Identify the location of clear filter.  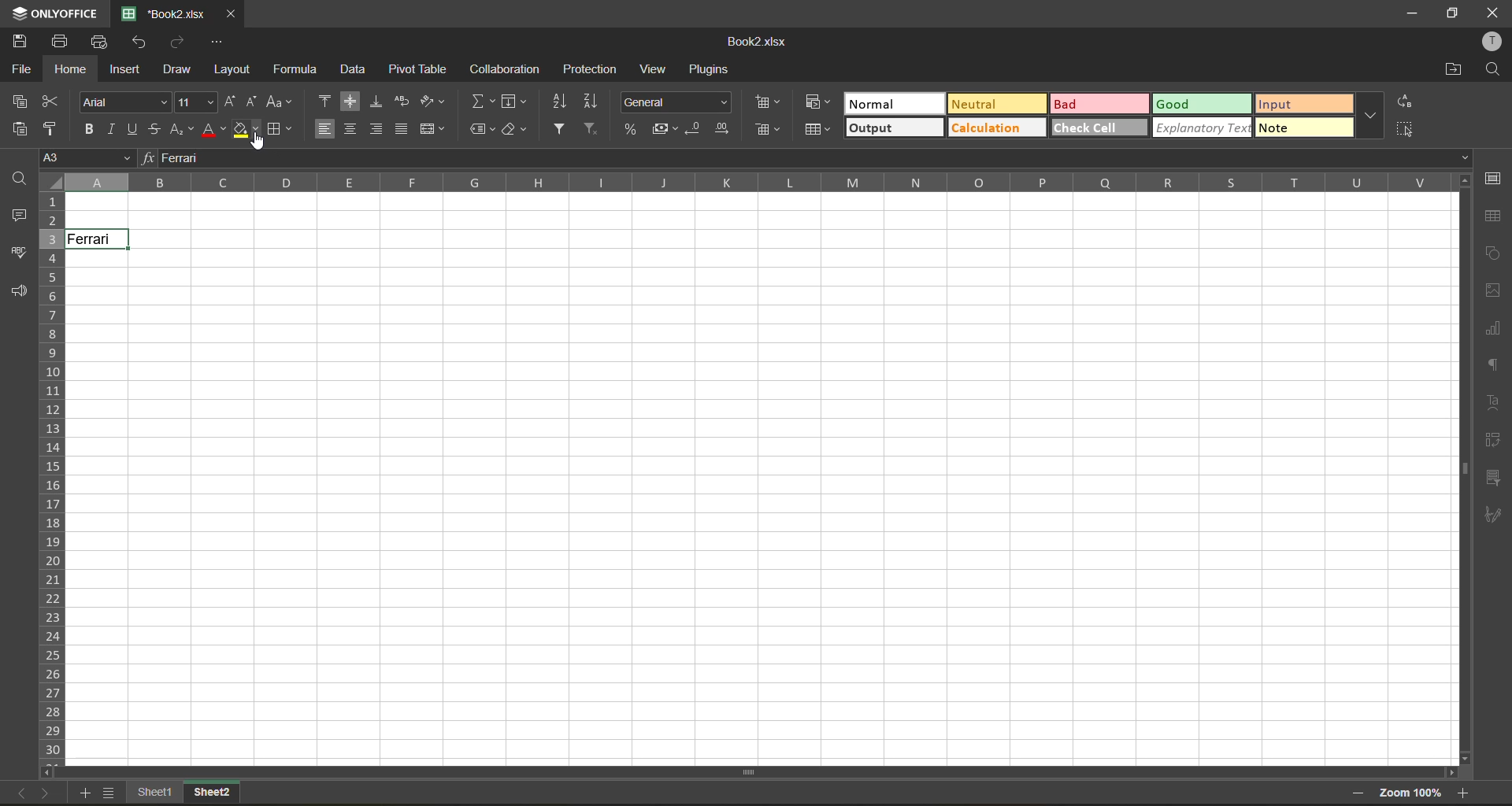
(592, 129).